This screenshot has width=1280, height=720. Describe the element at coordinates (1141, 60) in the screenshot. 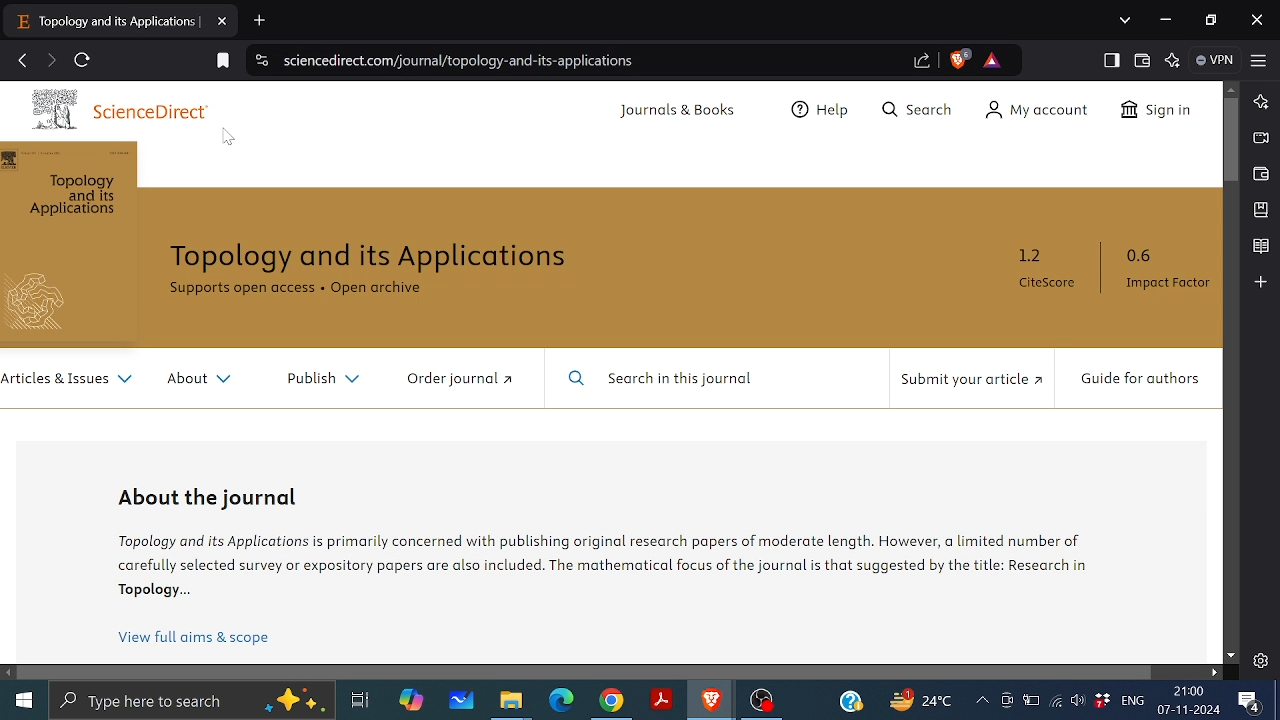

I see `Wallet` at that location.